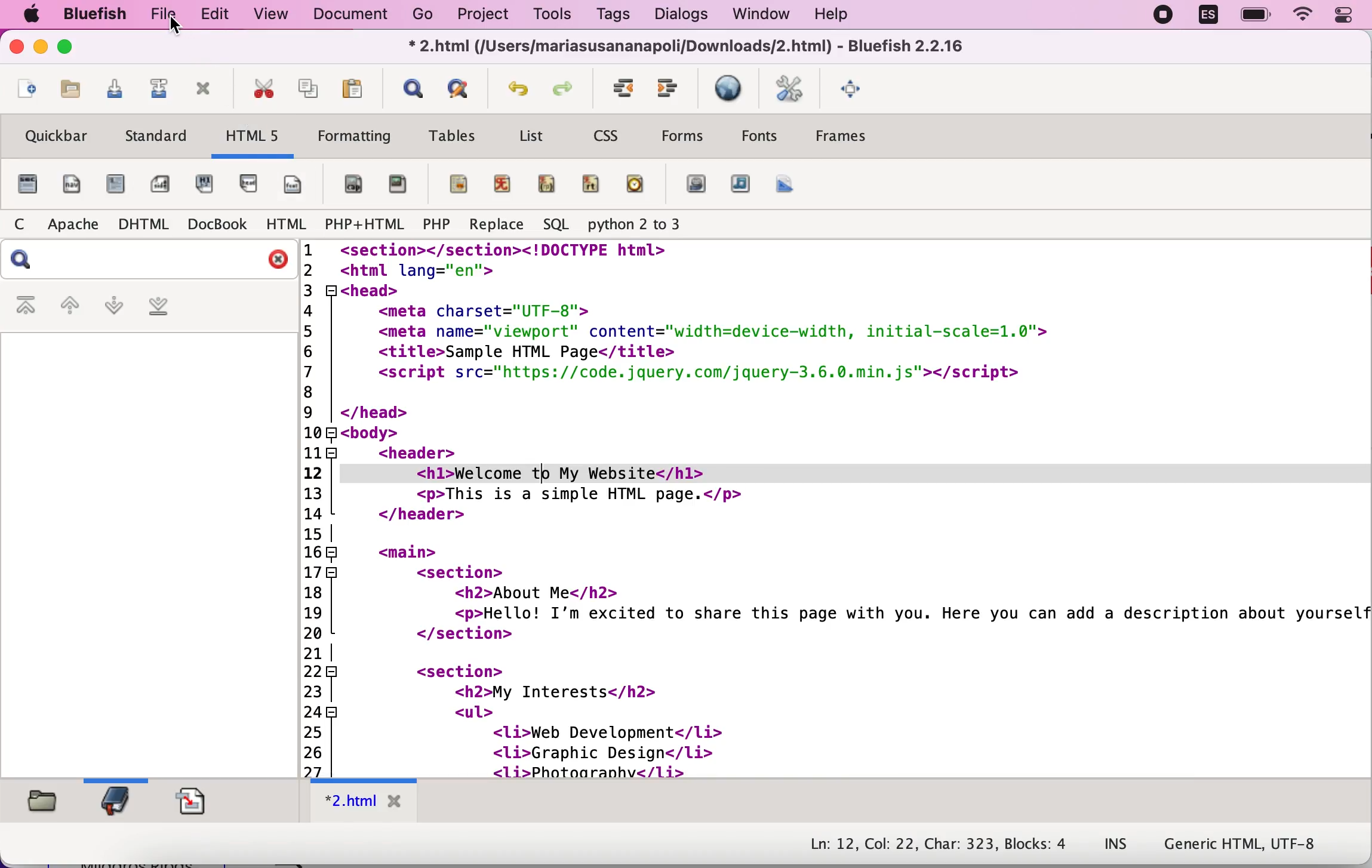  Describe the element at coordinates (33, 258) in the screenshot. I see `search` at that location.